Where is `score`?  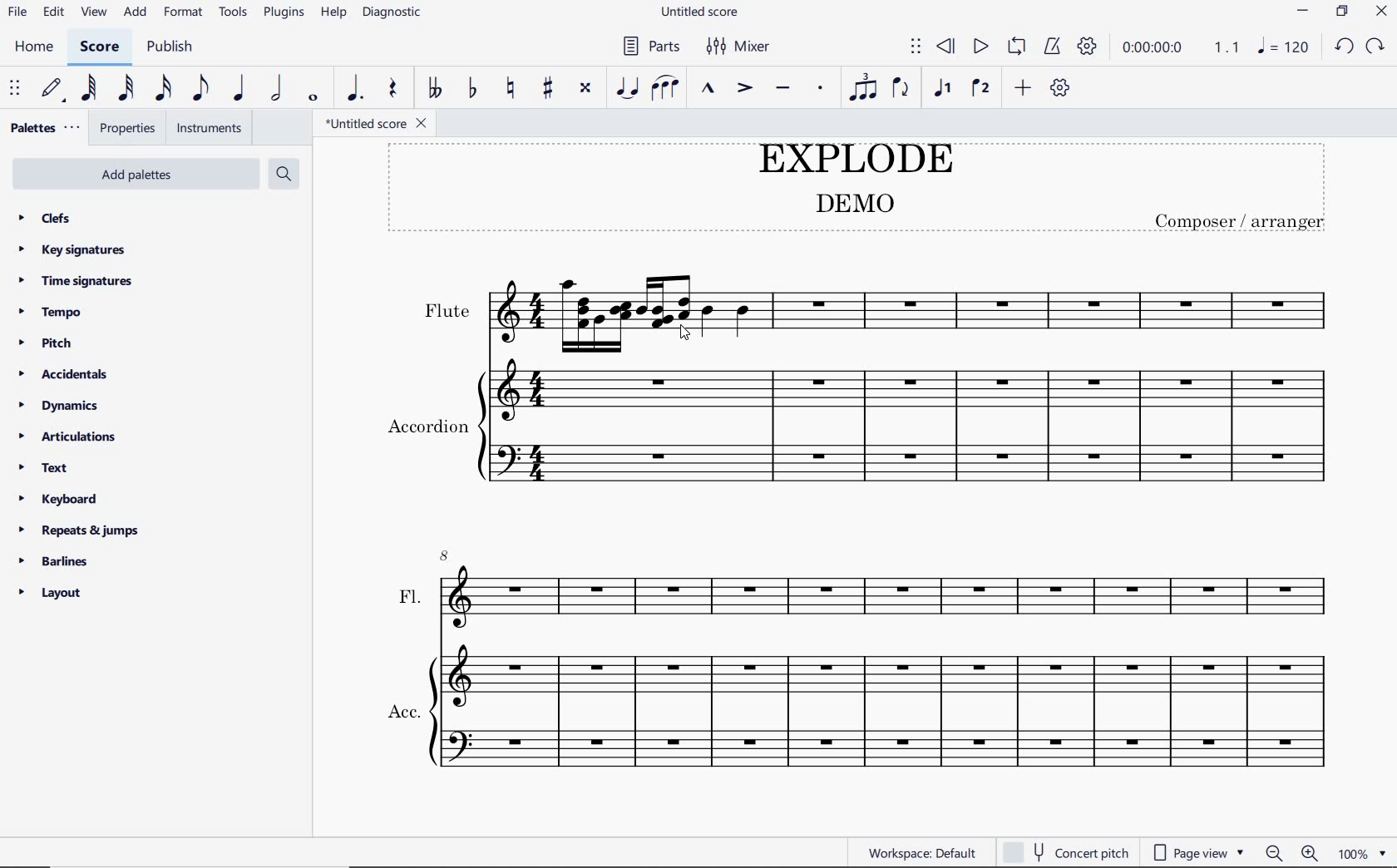 score is located at coordinates (100, 47).